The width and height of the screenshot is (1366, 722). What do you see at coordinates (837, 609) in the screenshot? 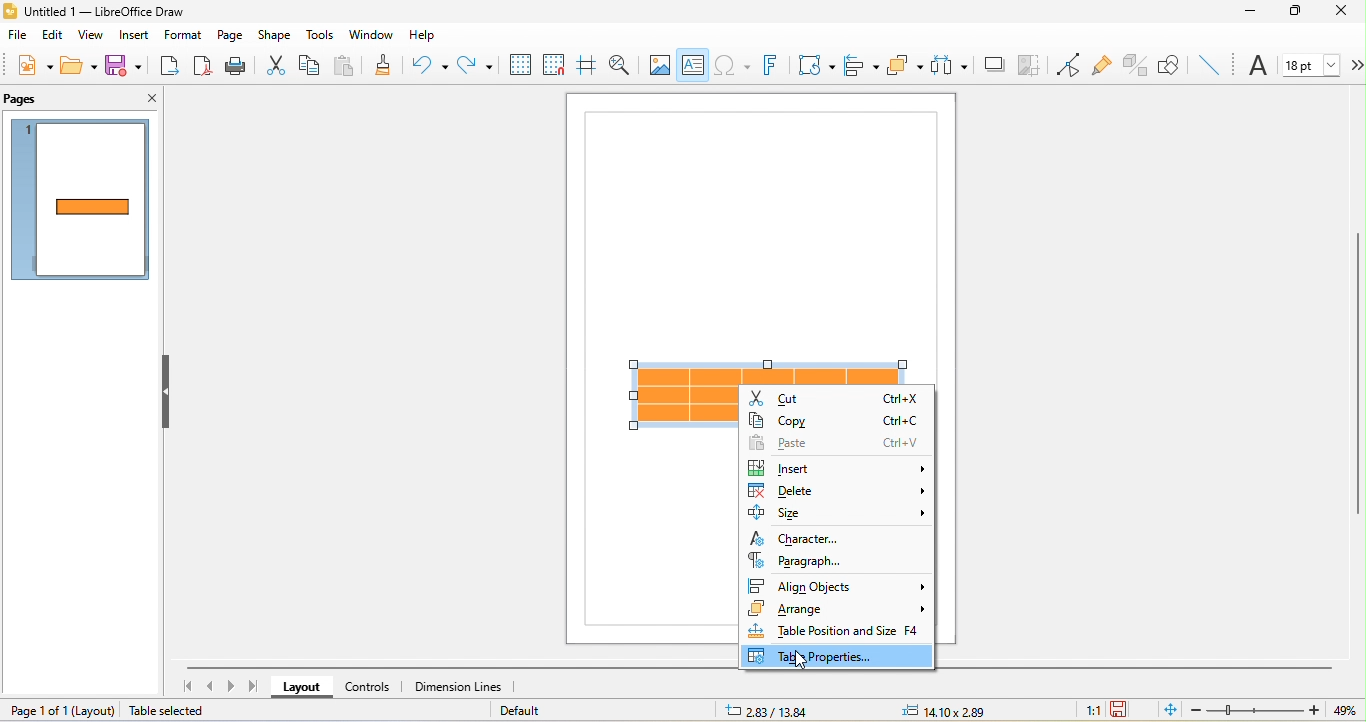
I see `arrange` at bounding box center [837, 609].